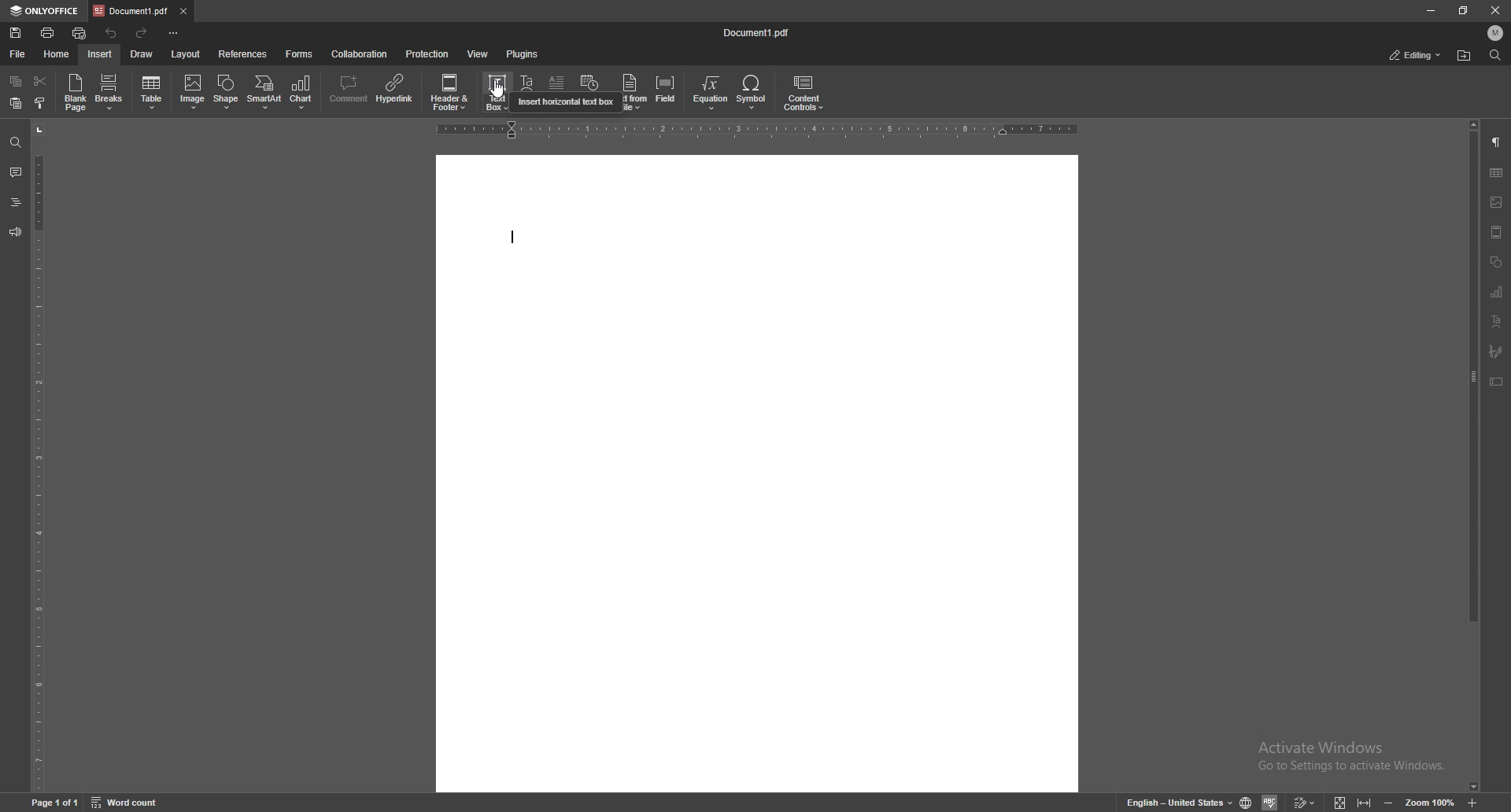 The height and width of the screenshot is (812, 1511). I want to click on onlyoffice, so click(45, 12).